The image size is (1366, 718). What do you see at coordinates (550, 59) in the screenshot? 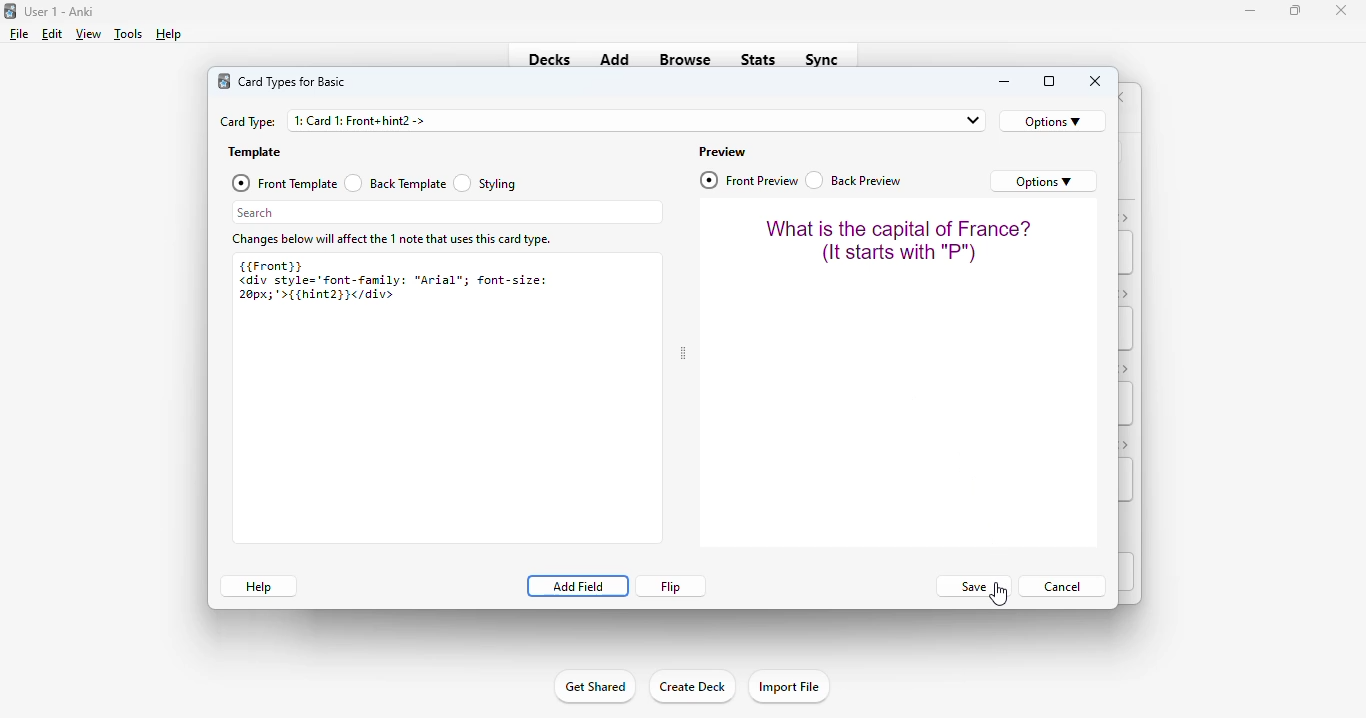
I see `decks` at bounding box center [550, 59].